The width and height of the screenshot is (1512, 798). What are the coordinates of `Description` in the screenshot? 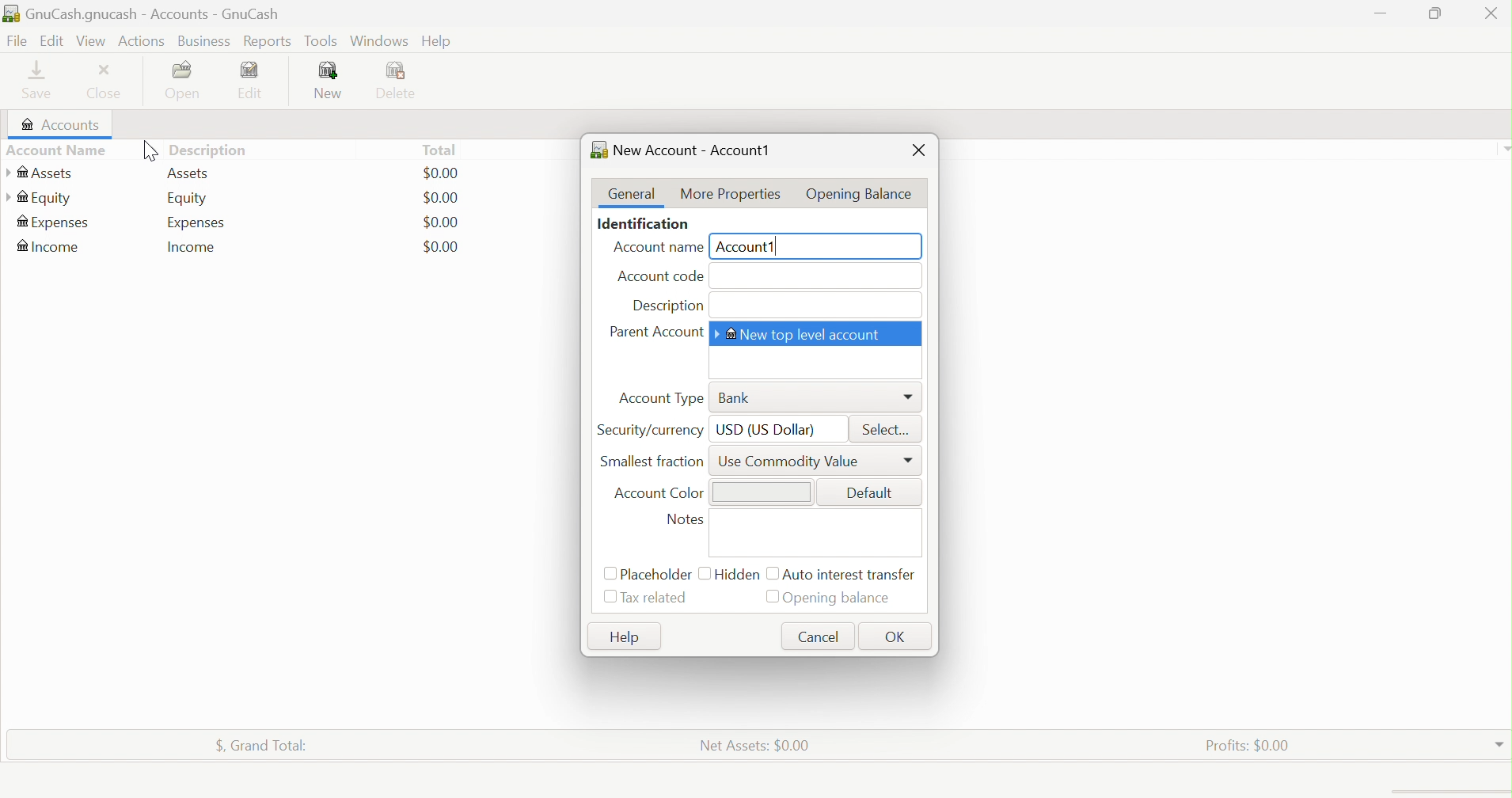 It's located at (667, 306).